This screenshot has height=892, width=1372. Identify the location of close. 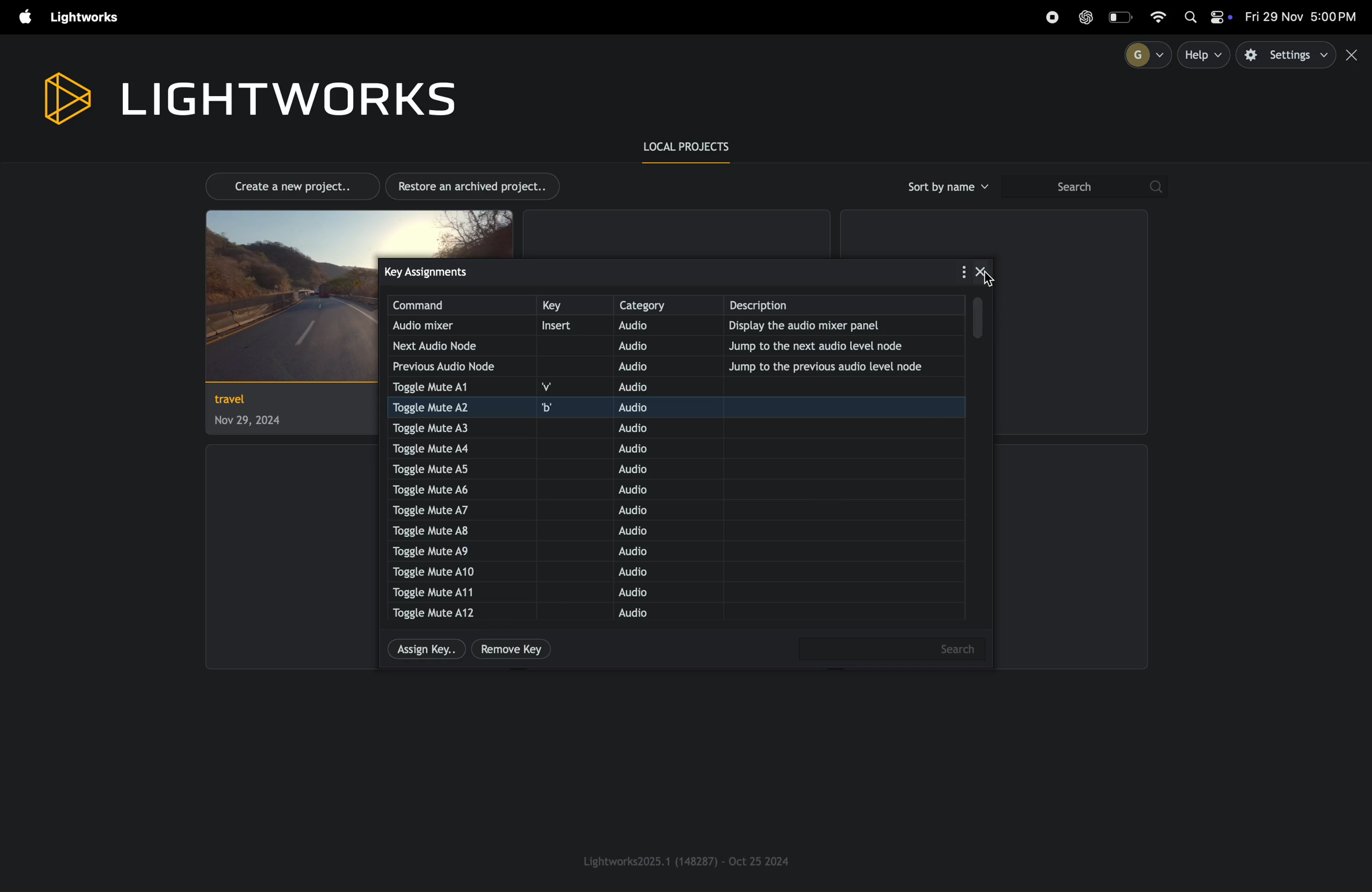
(1354, 55).